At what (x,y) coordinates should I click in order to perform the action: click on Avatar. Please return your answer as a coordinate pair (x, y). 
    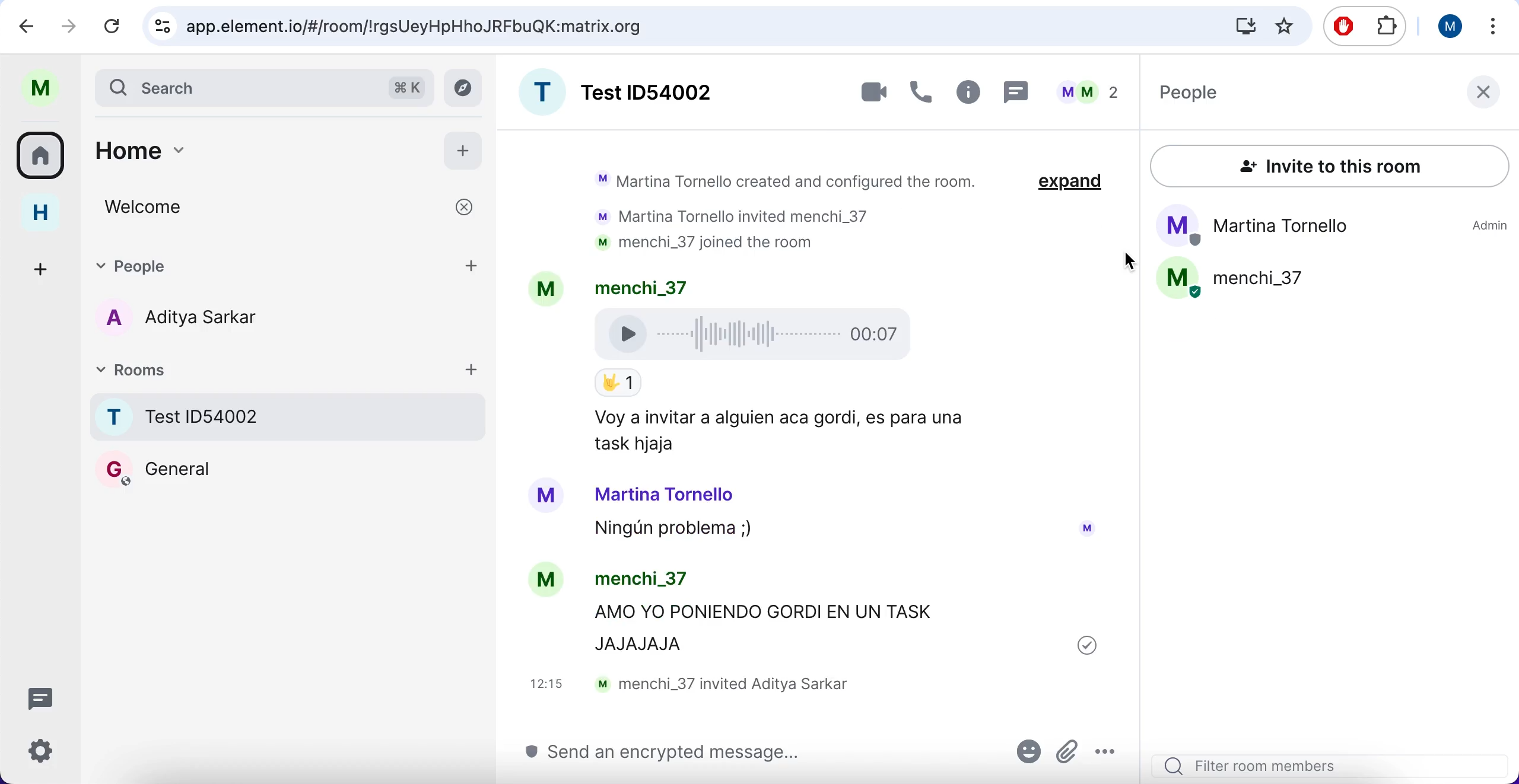
    Looking at the image, I should click on (548, 291).